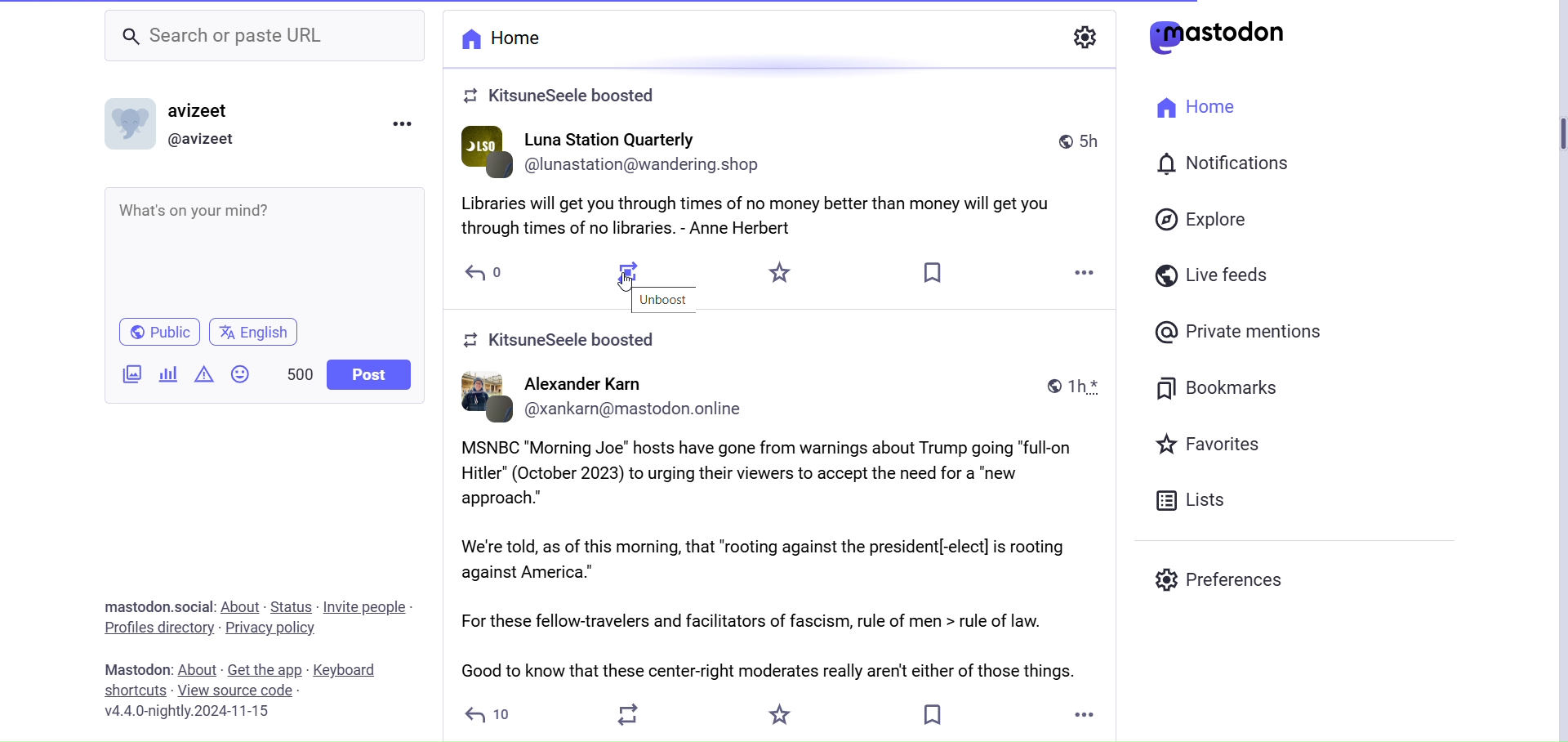  I want to click on Add Content Warning, so click(203, 374).